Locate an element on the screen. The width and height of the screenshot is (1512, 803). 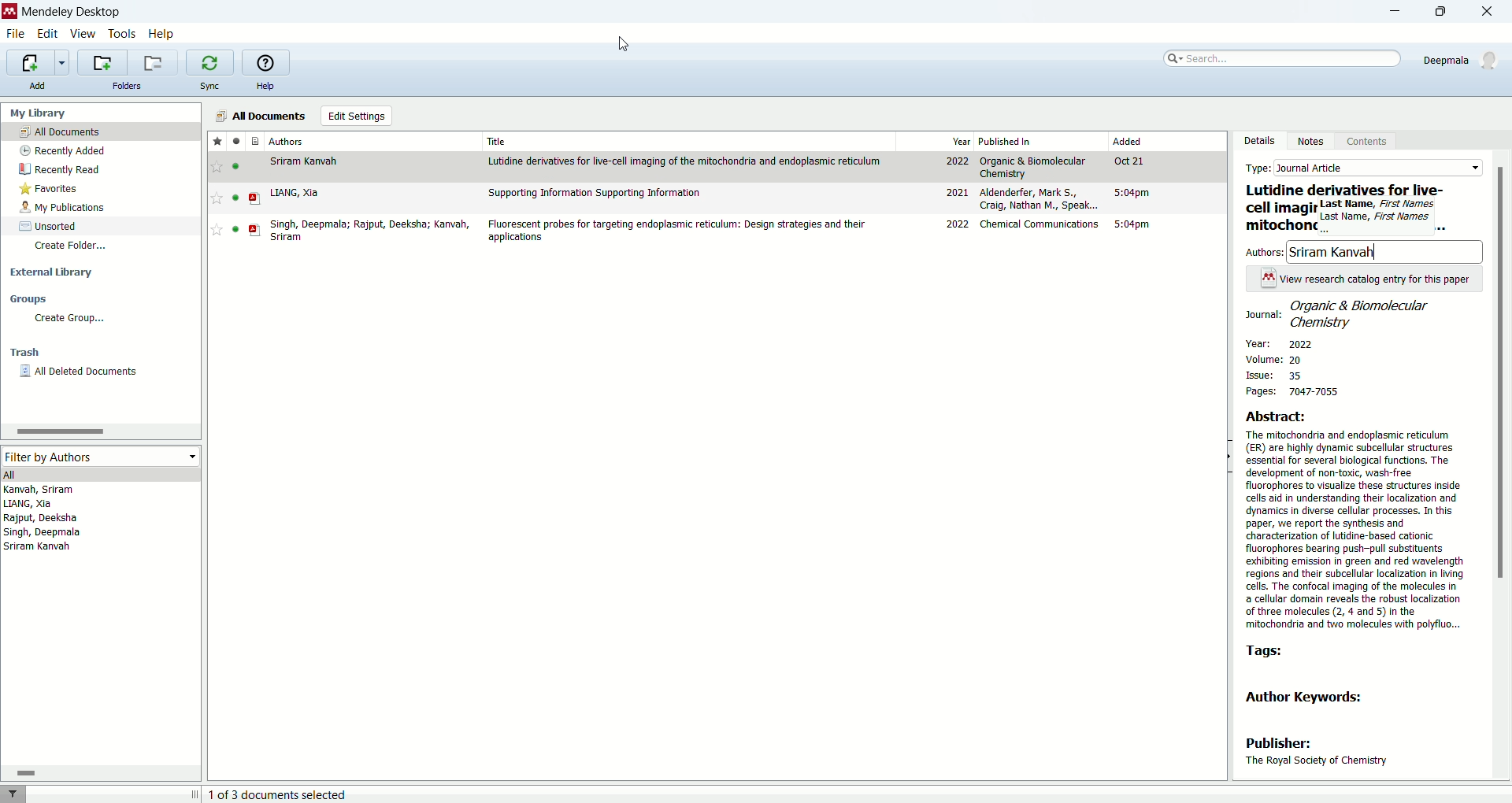
. Organic & Biomolecular
Journal: Cy mitry is located at coordinates (1340, 313).